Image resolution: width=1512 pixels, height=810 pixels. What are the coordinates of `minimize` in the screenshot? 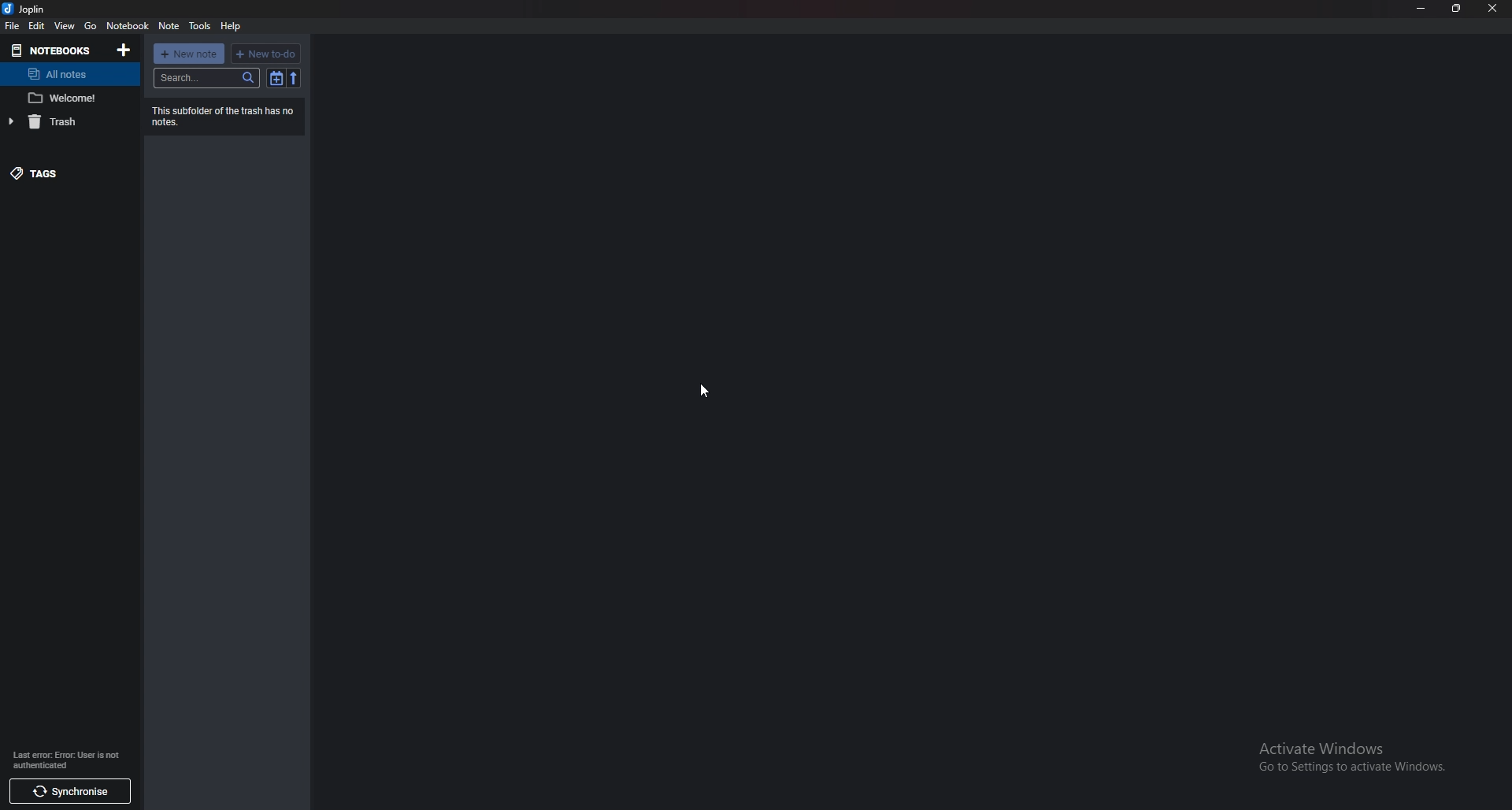 It's located at (1423, 8).